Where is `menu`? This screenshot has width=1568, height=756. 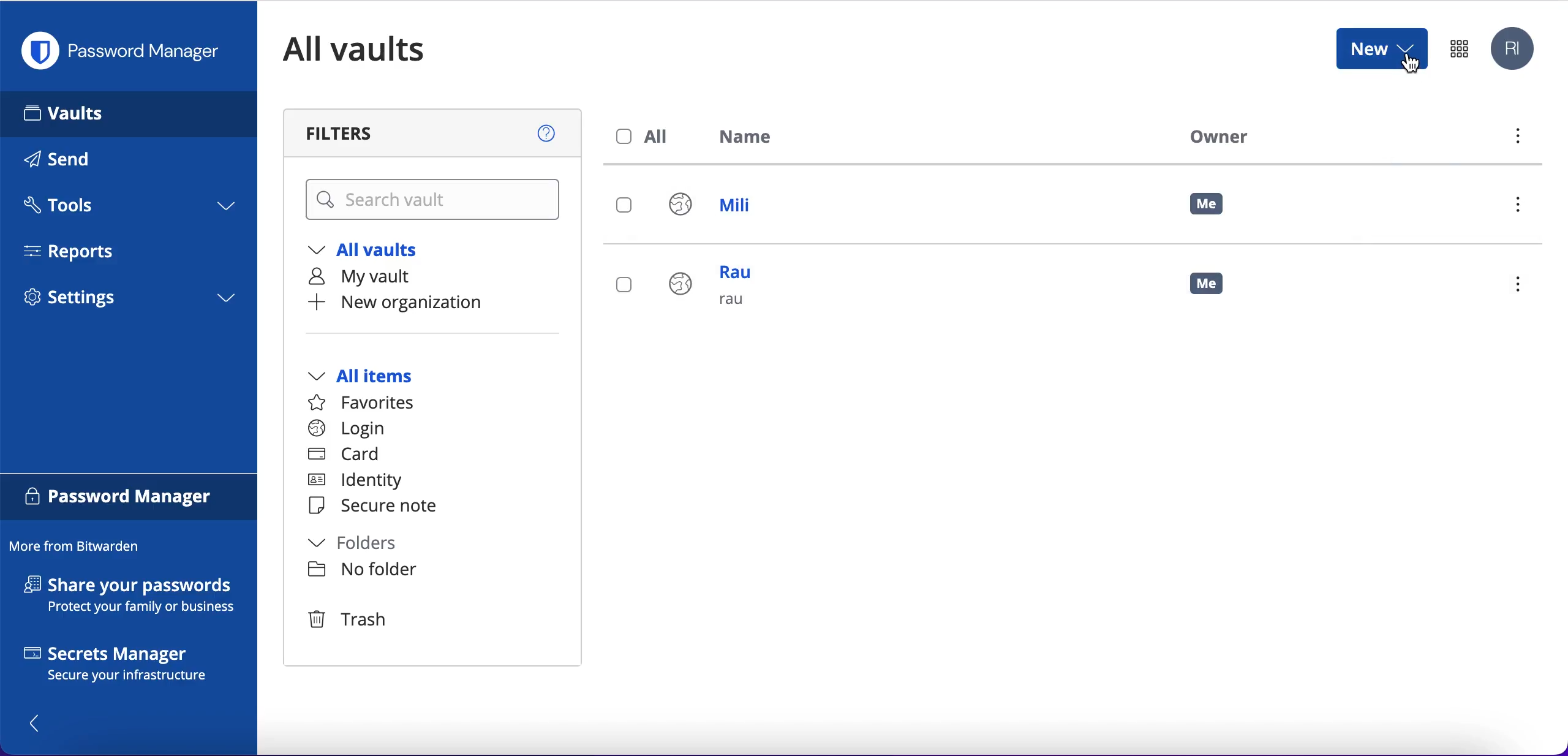 menu is located at coordinates (1516, 139).